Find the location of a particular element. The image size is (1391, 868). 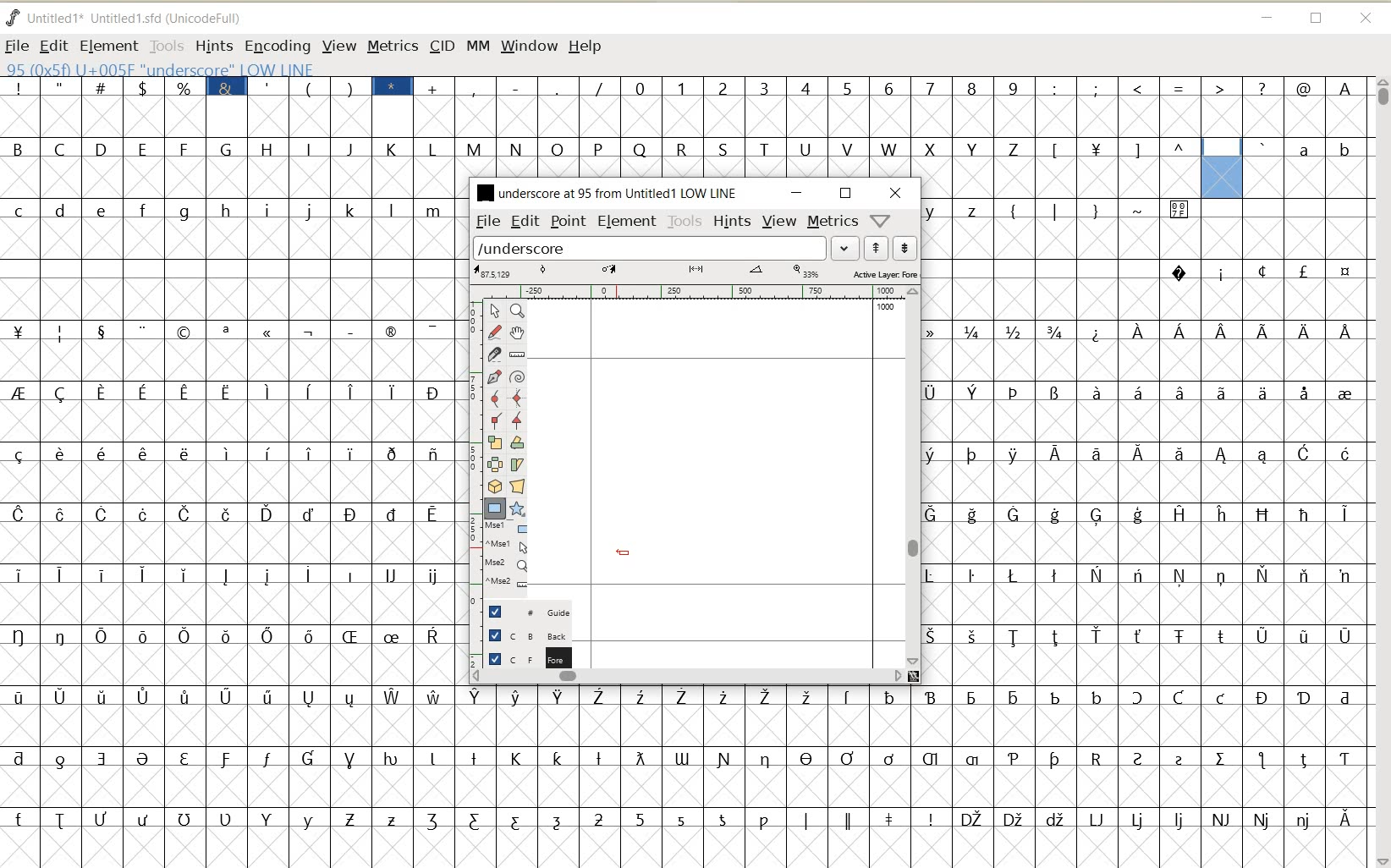

SCALE is located at coordinates (471, 447).